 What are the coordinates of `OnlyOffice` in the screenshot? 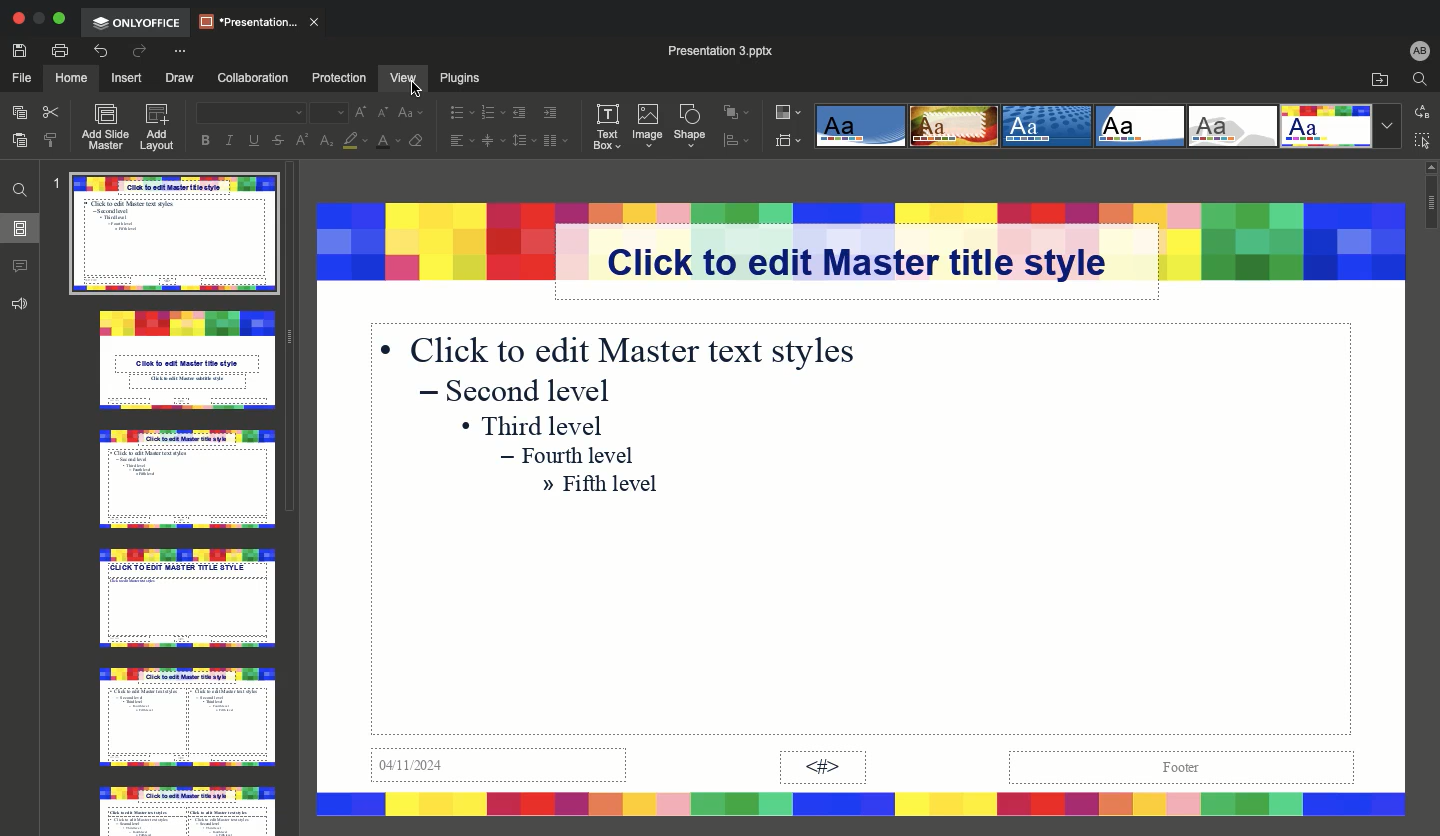 It's located at (139, 22).